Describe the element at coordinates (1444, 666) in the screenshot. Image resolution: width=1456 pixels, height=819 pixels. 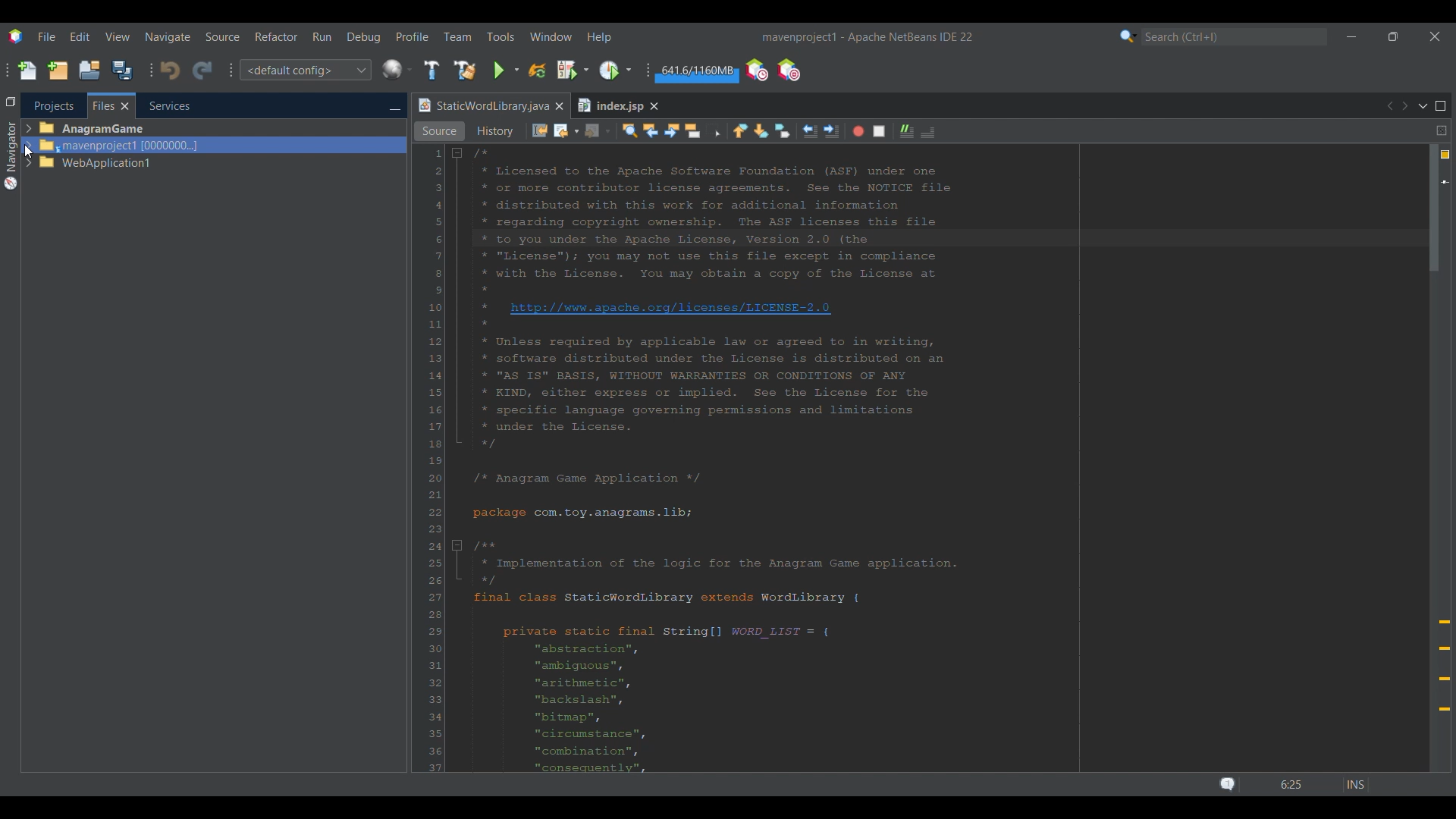
I see `Markers` at that location.